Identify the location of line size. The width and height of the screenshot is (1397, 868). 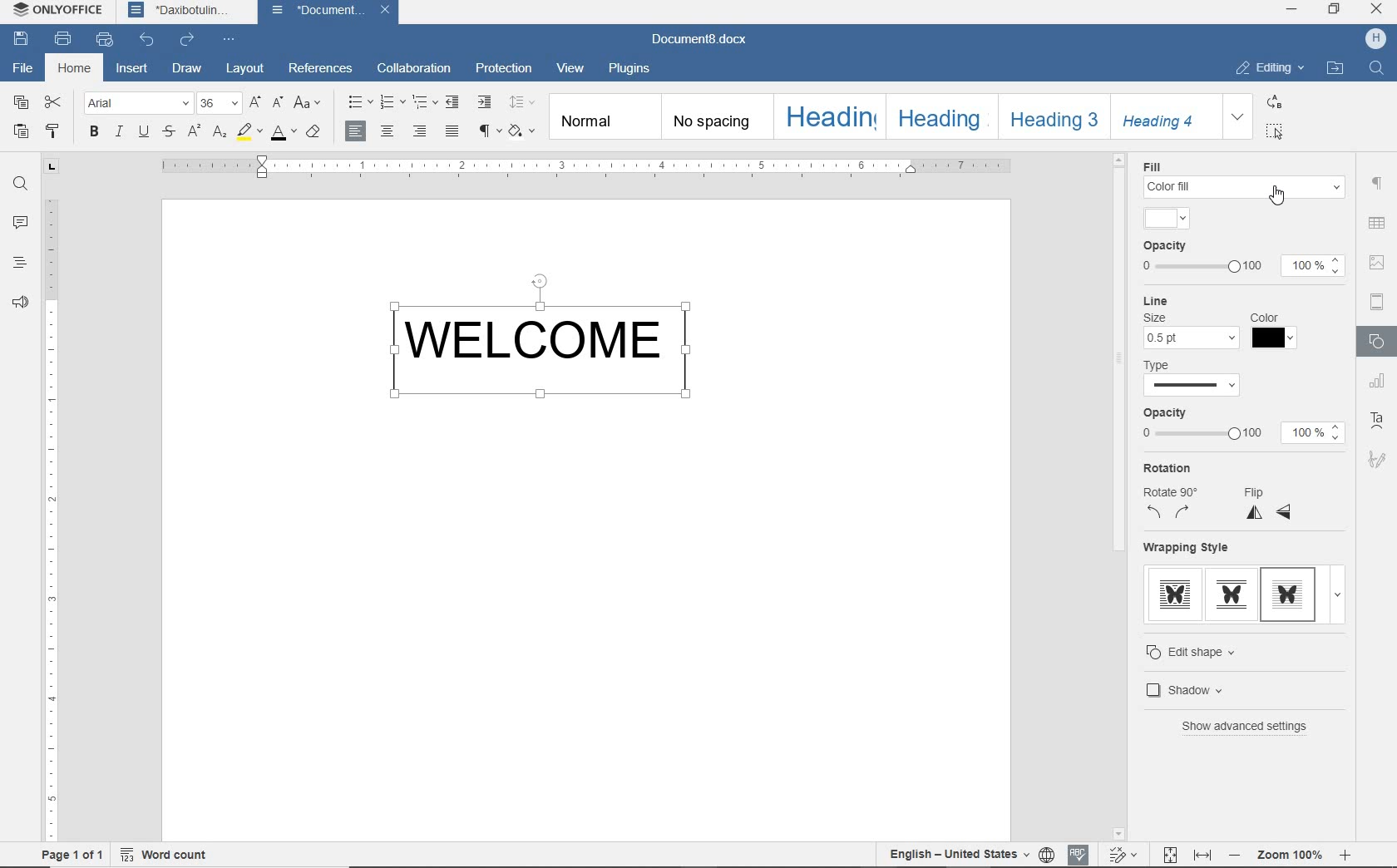
(1192, 338).